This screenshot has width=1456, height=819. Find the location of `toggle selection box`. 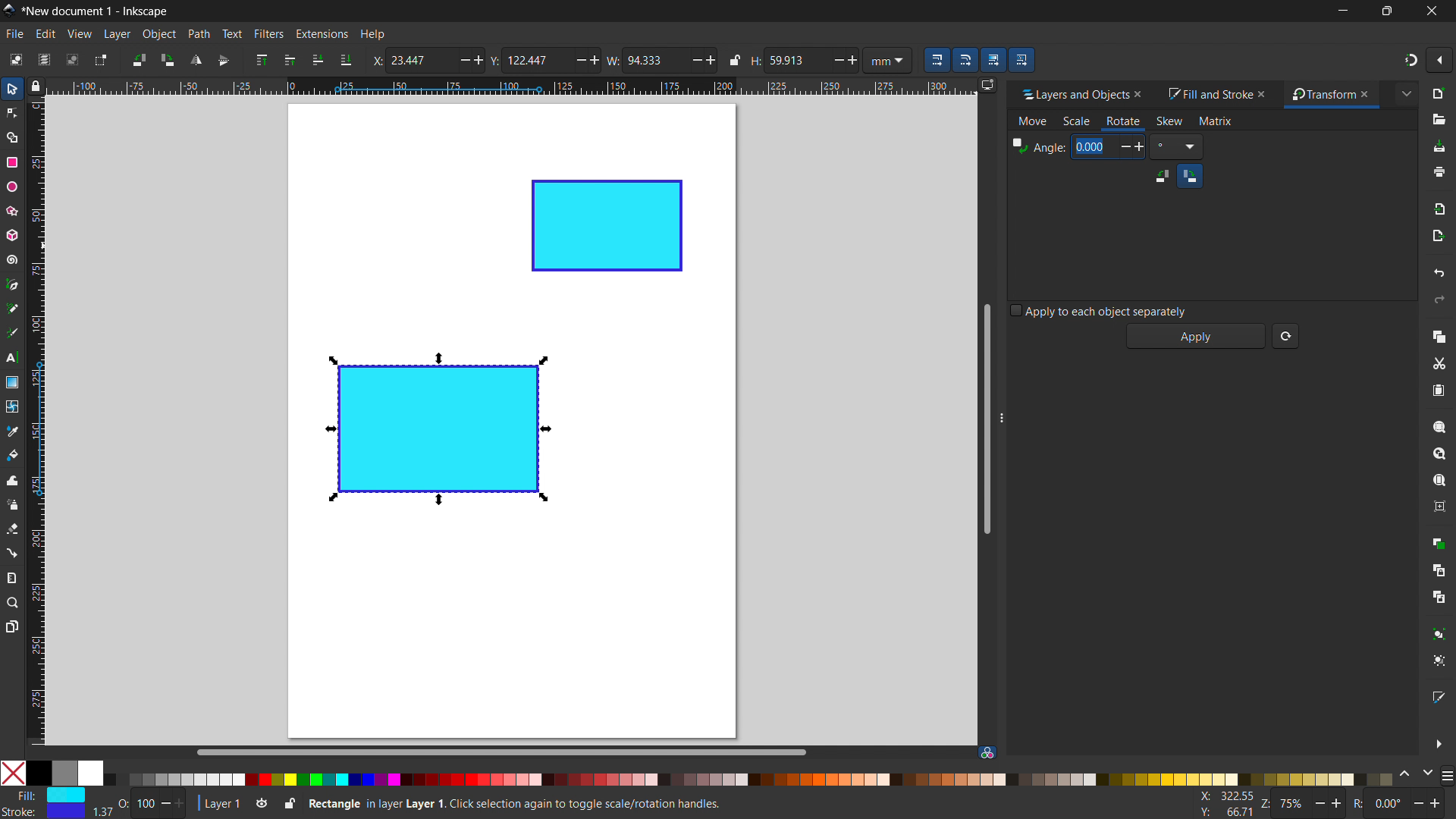

toggle selection box is located at coordinates (99, 61).